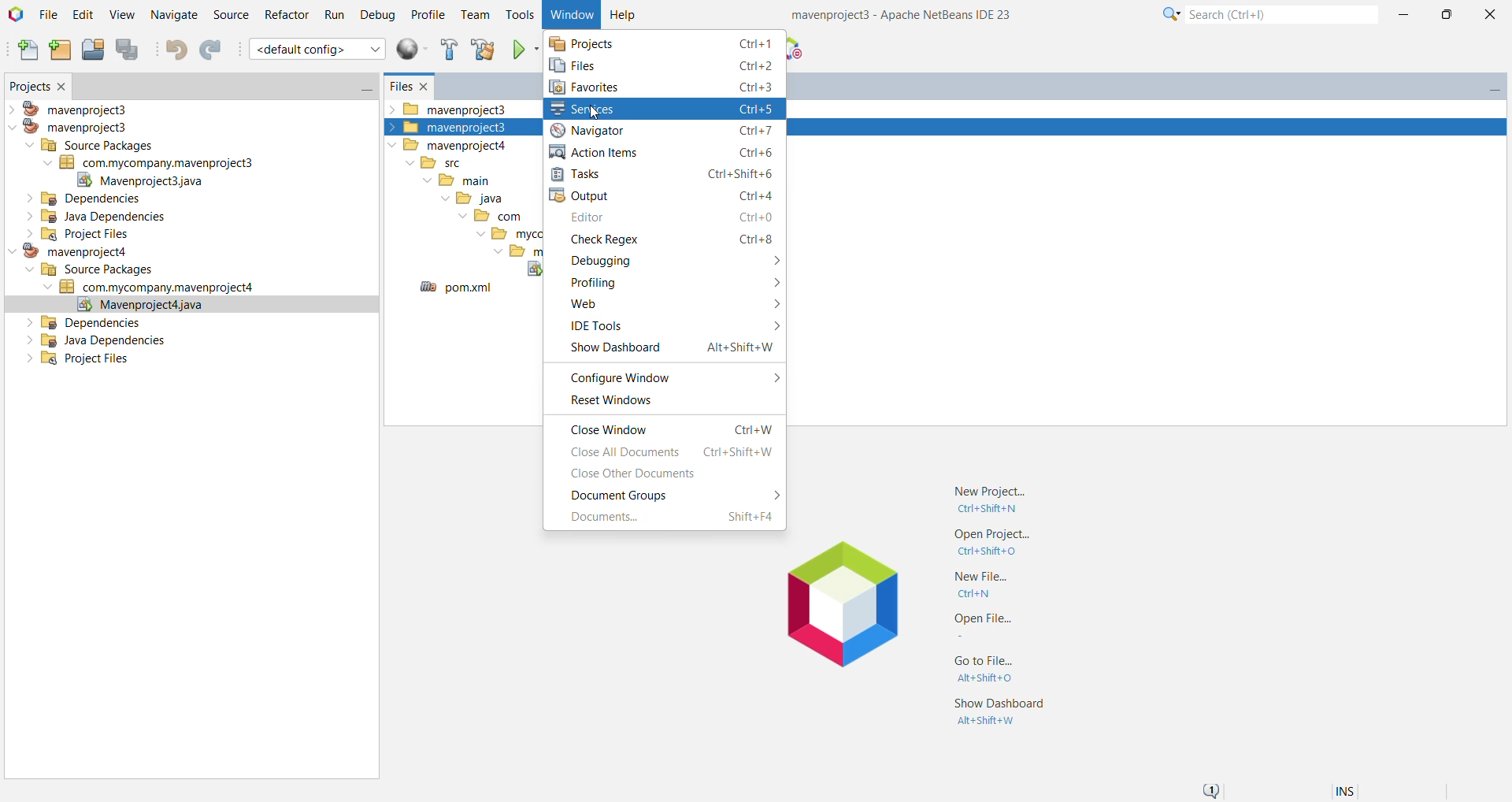 This screenshot has height=802, width=1512. What do you see at coordinates (589, 112) in the screenshot?
I see `cursor` at bounding box center [589, 112].